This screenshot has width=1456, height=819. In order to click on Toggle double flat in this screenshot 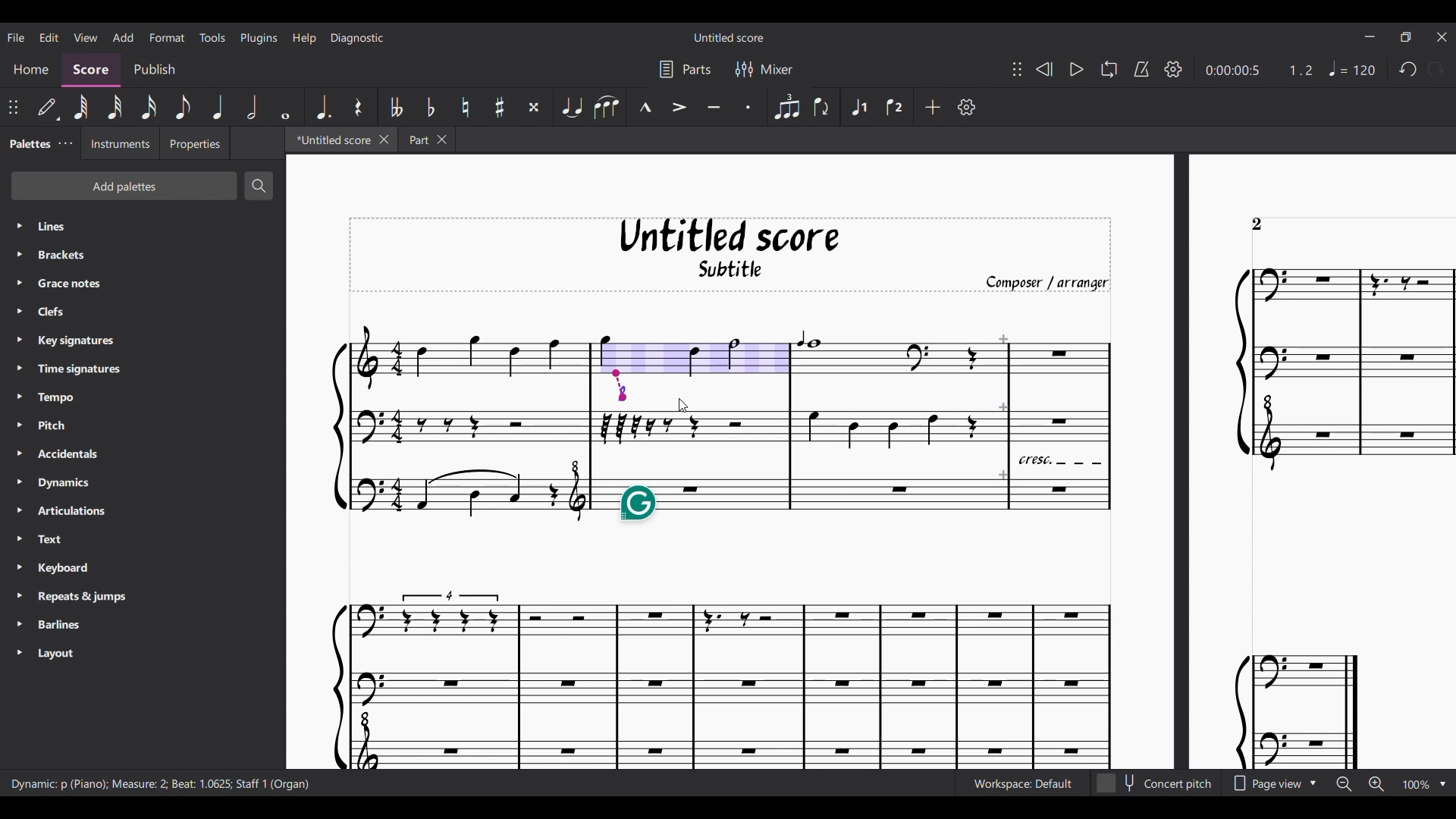, I will do `click(394, 107)`.